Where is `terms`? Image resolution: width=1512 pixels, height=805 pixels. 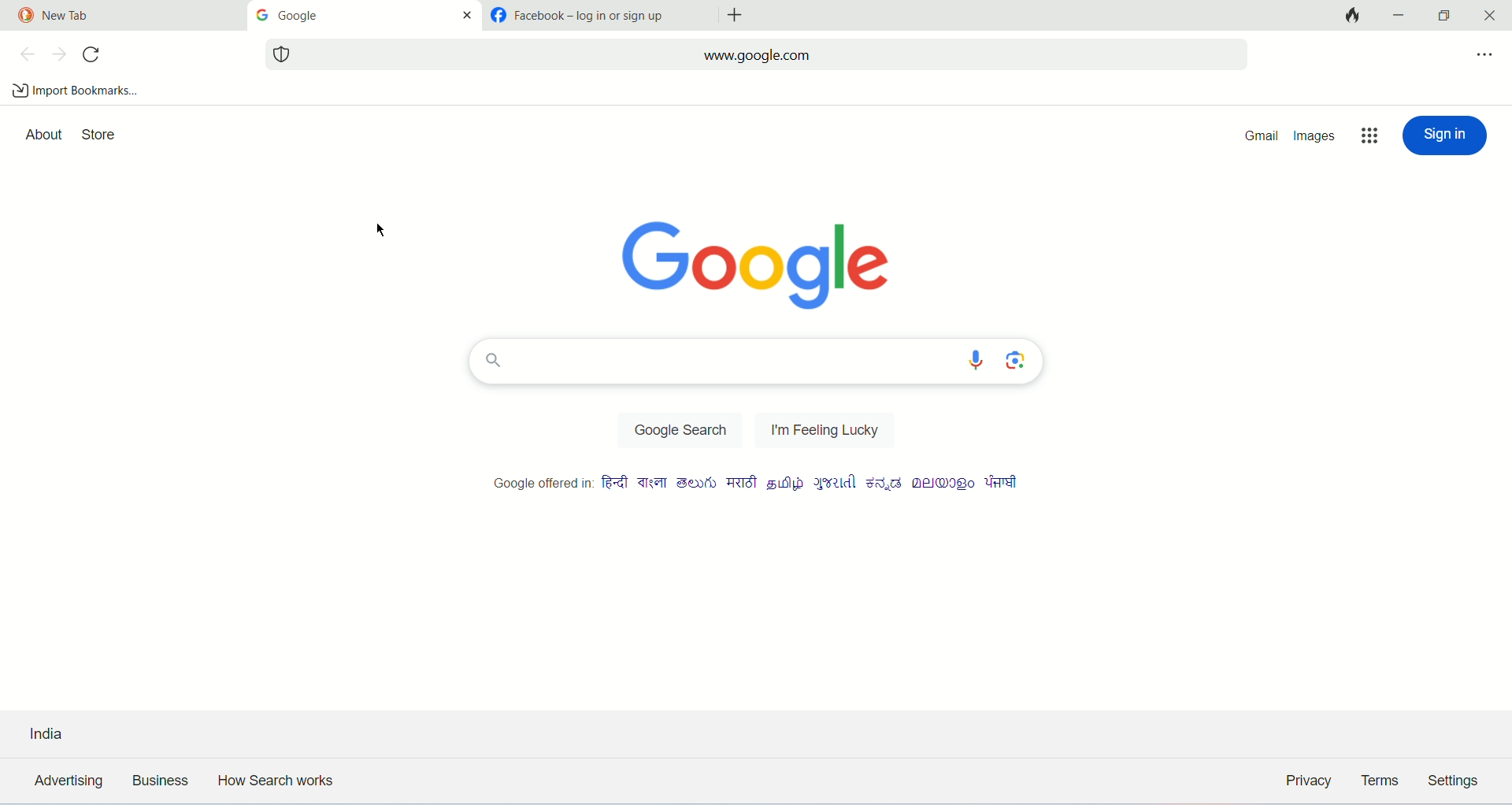
terms is located at coordinates (1383, 780).